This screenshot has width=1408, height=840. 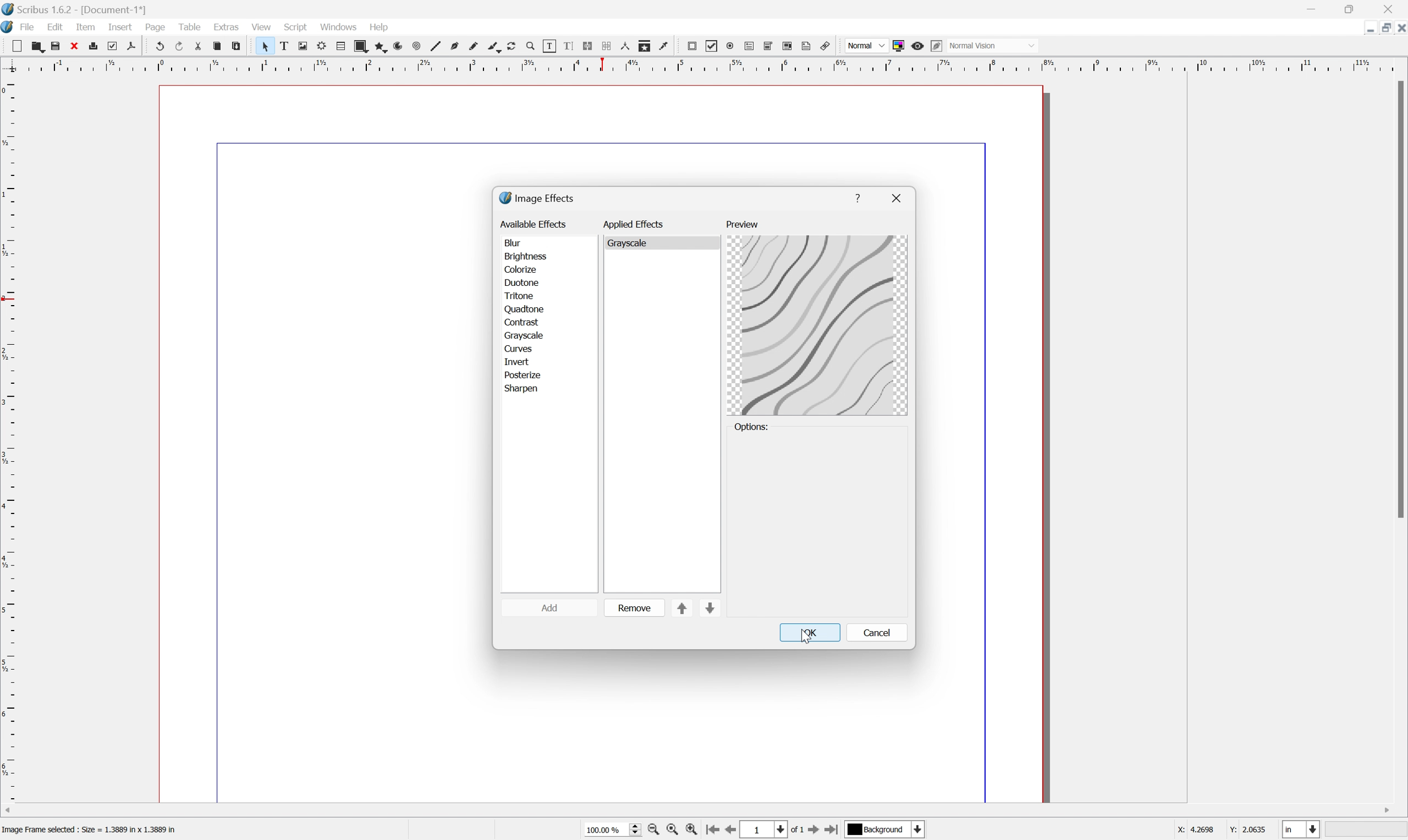 What do you see at coordinates (715, 47) in the screenshot?
I see `PDF check box` at bounding box center [715, 47].